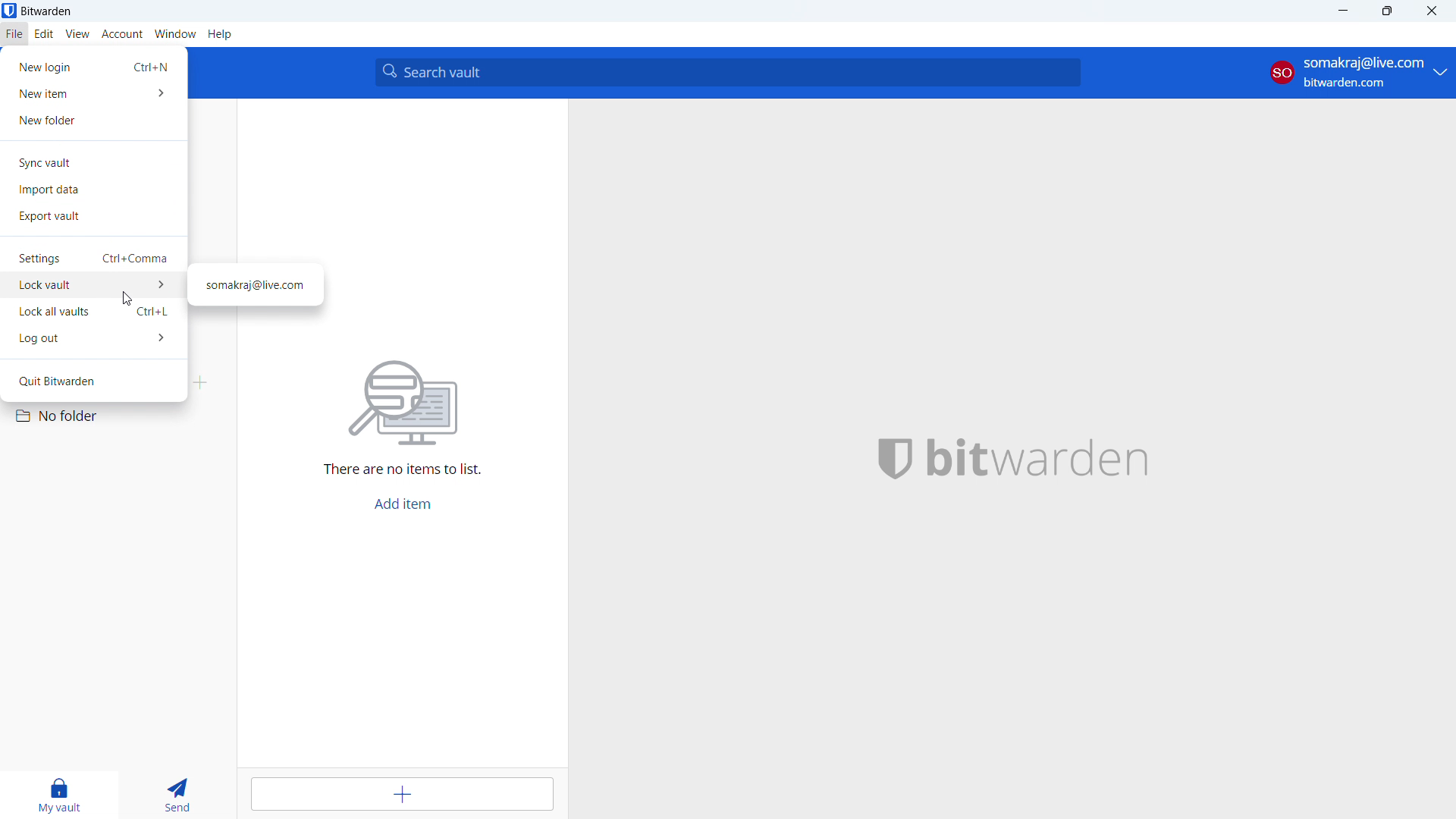 The image size is (1456, 819). Describe the element at coordinates (402, 795) in the screenshot. I see `add` at that location.